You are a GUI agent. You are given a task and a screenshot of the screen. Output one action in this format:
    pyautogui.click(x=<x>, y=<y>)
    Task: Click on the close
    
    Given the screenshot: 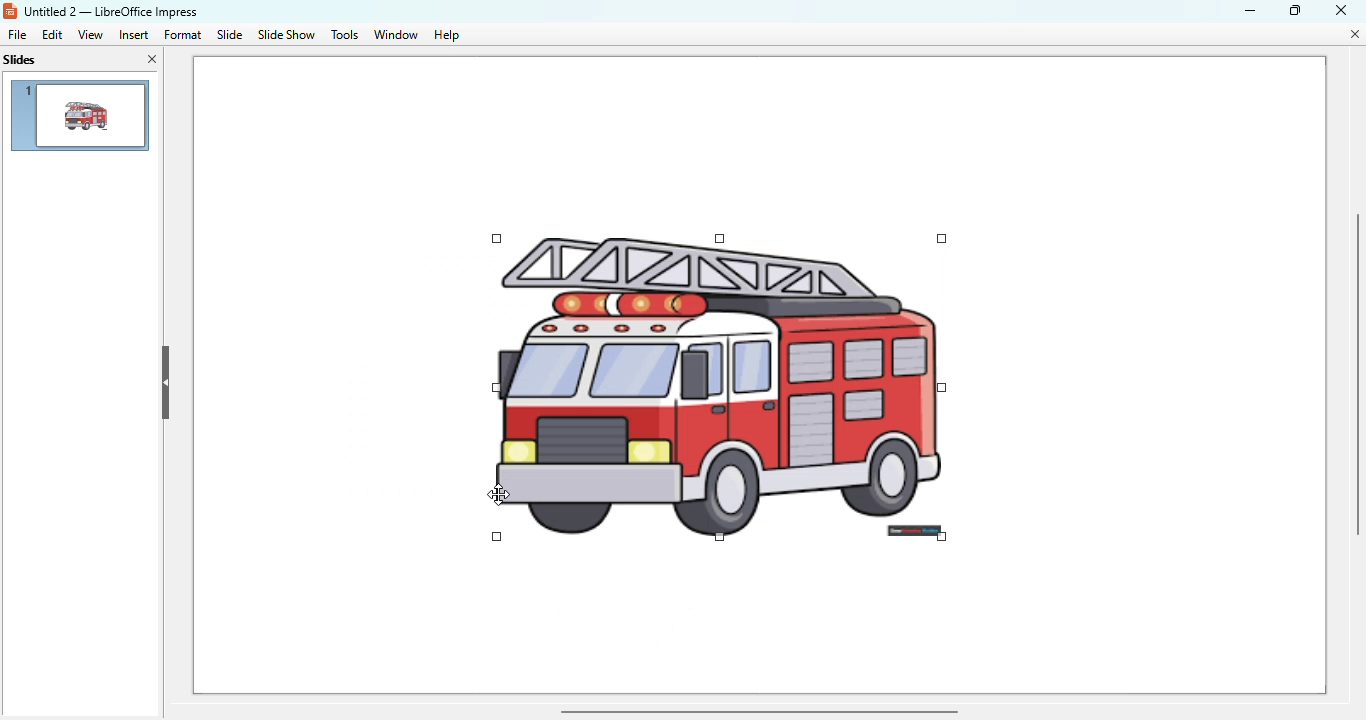 What is the action you would take?
    pyautogui.click(x=1342, y=9)
    